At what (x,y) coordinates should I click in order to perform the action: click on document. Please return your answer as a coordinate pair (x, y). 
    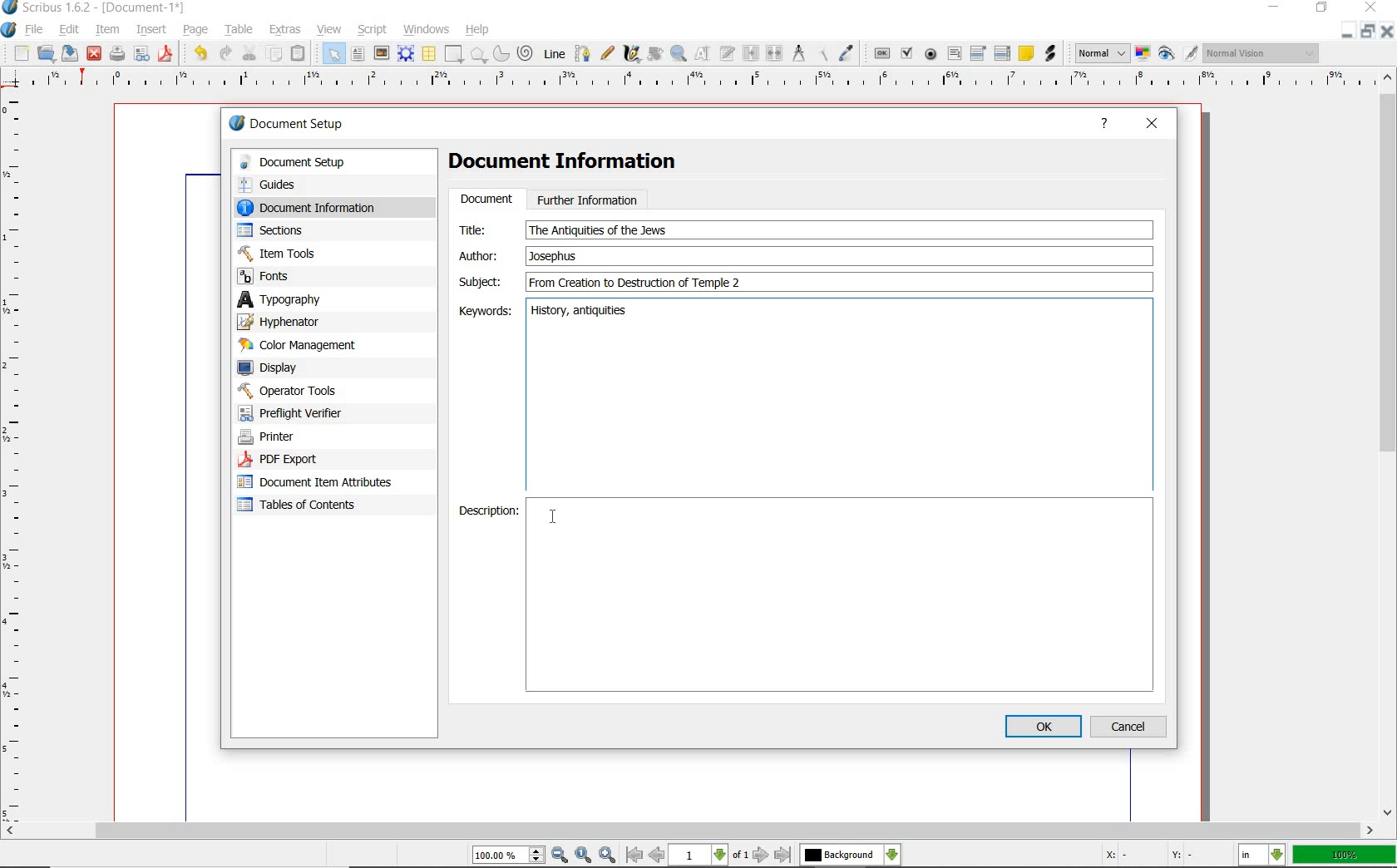
    Looking at the image, I should click on (486, 200).